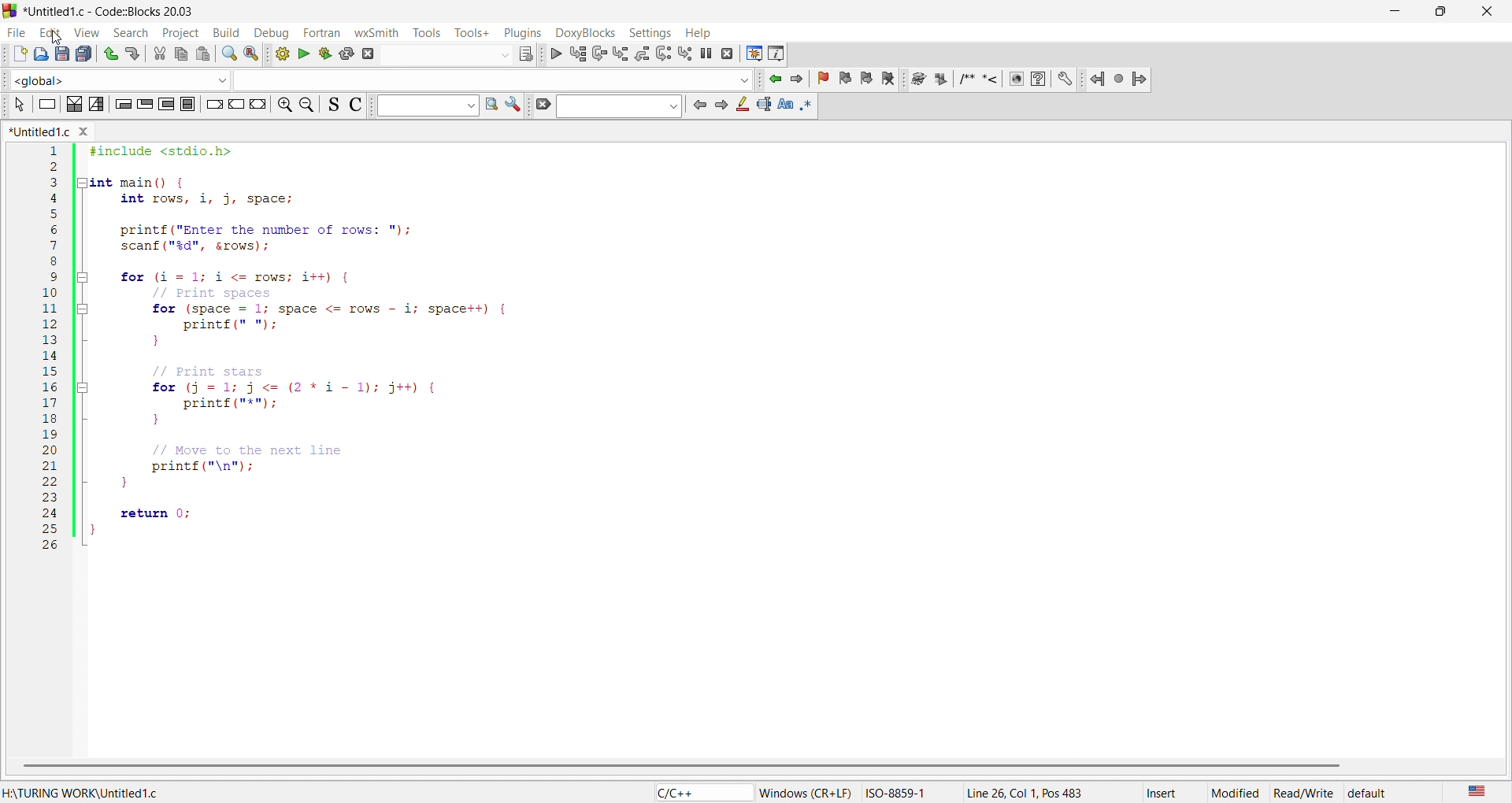 The image size is (1512, 803). Describe the element at coordinates (131, 55) in the screenshot. I see `redo` at that location.